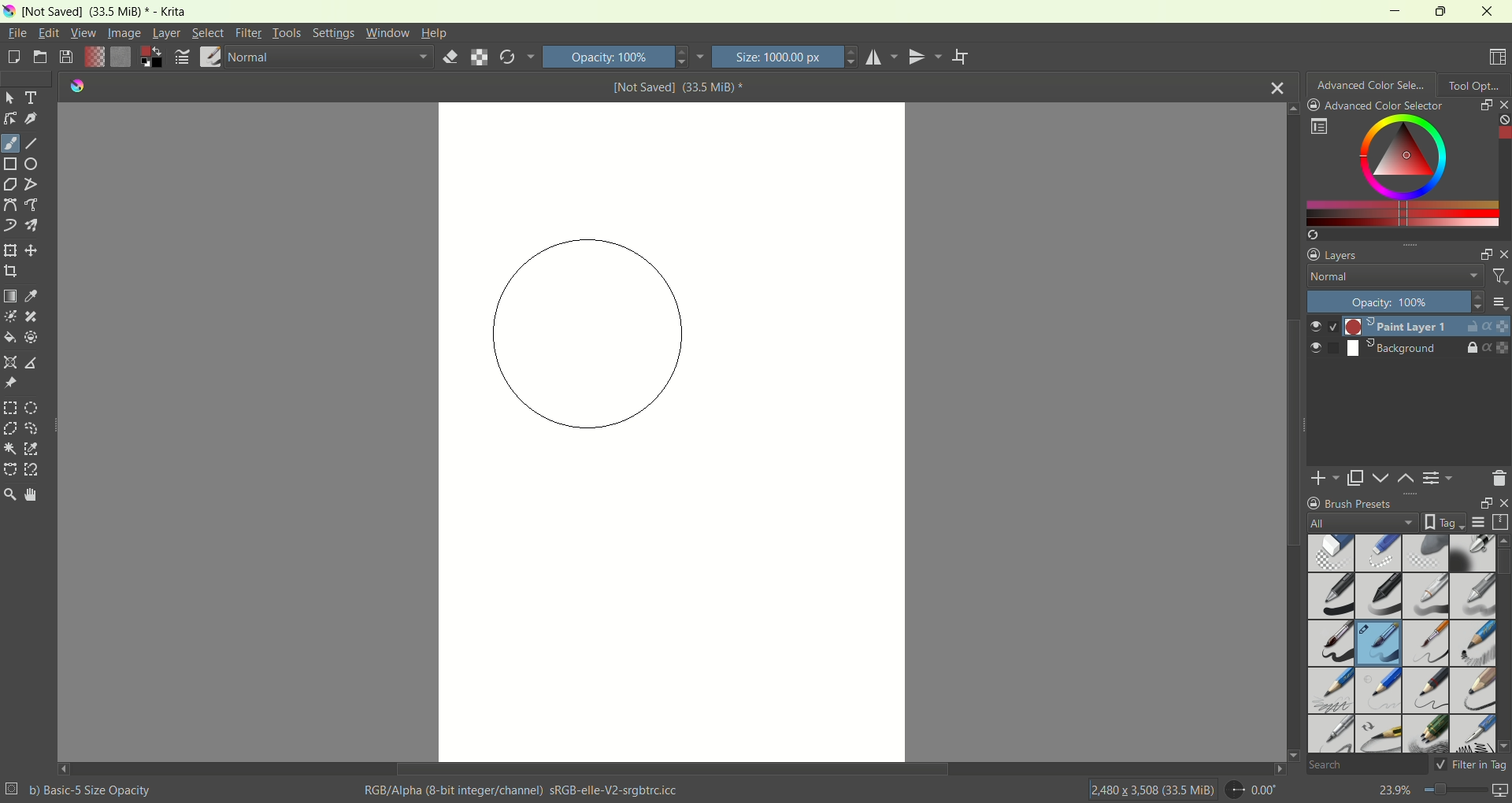 The image size is (1512, 803). What do you see at coordinates (34, 205) in the screenshot?
I see `freehand path` at bounding box center [34, 205].